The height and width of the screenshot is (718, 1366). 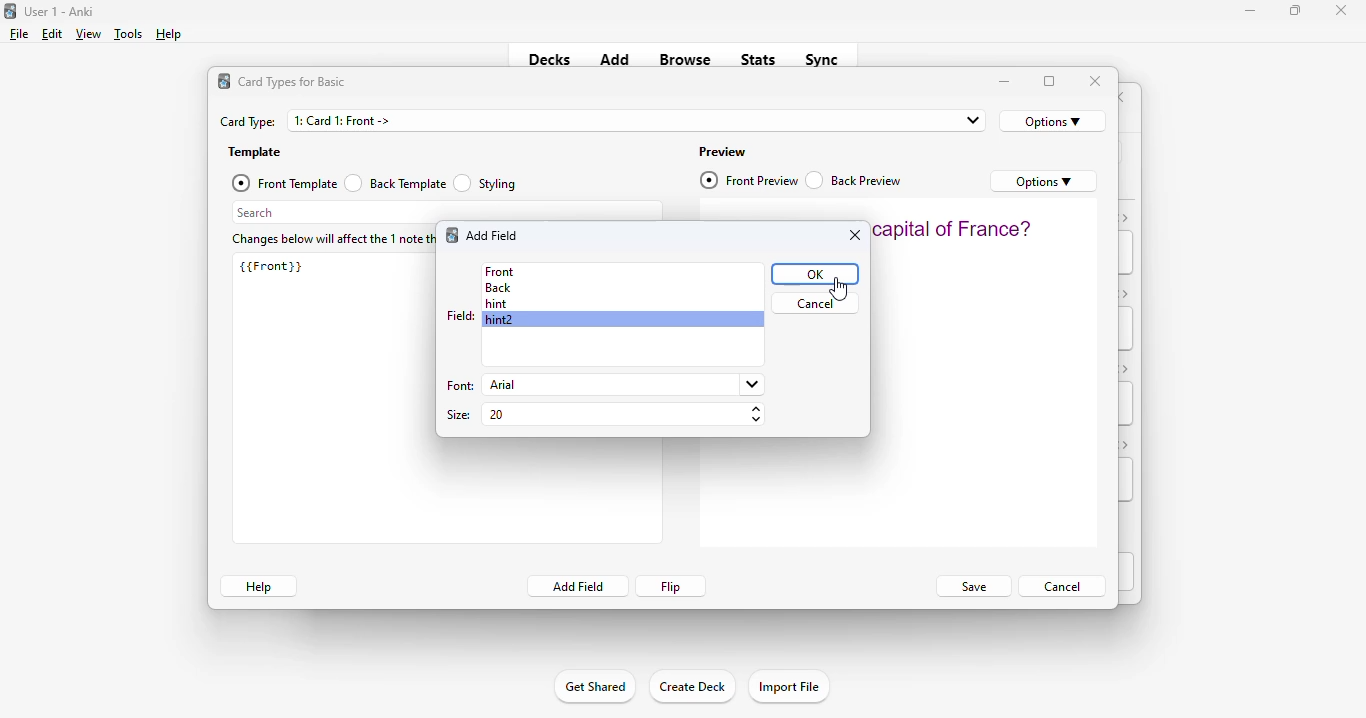 I want to click on add field, so click(x=577, y=586).